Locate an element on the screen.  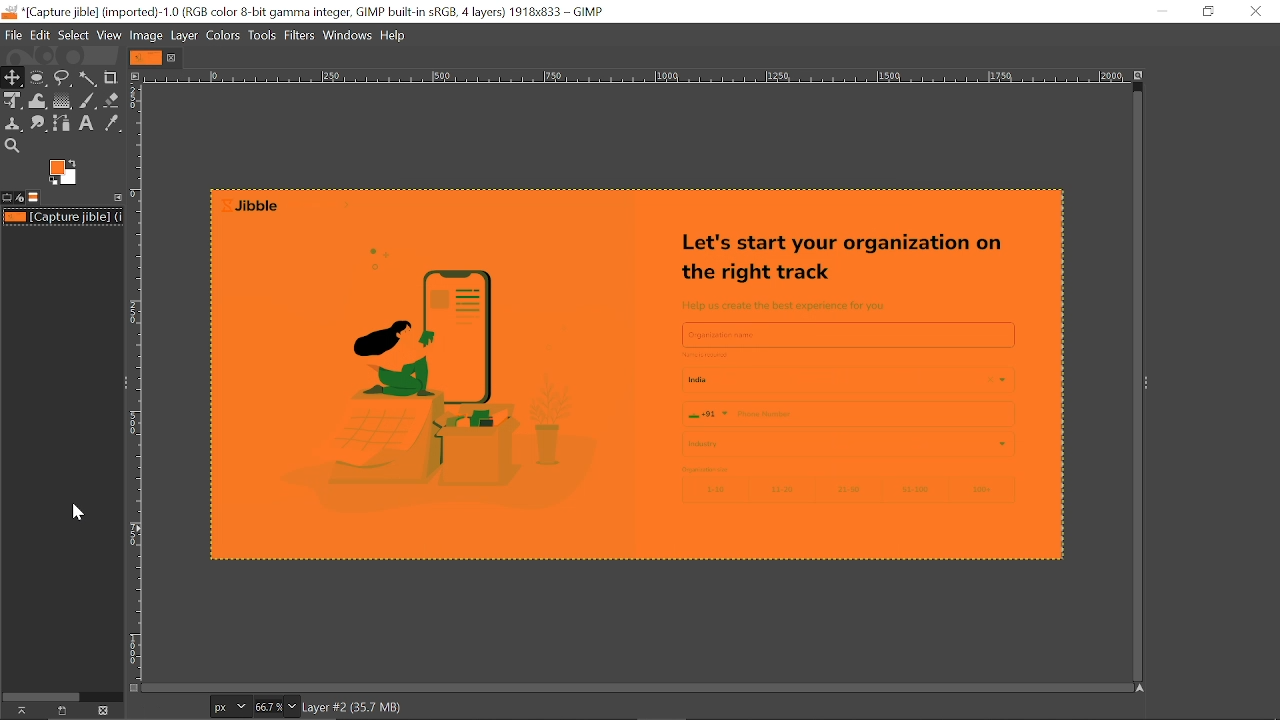
Tool options is located at coordinates (7, 198).